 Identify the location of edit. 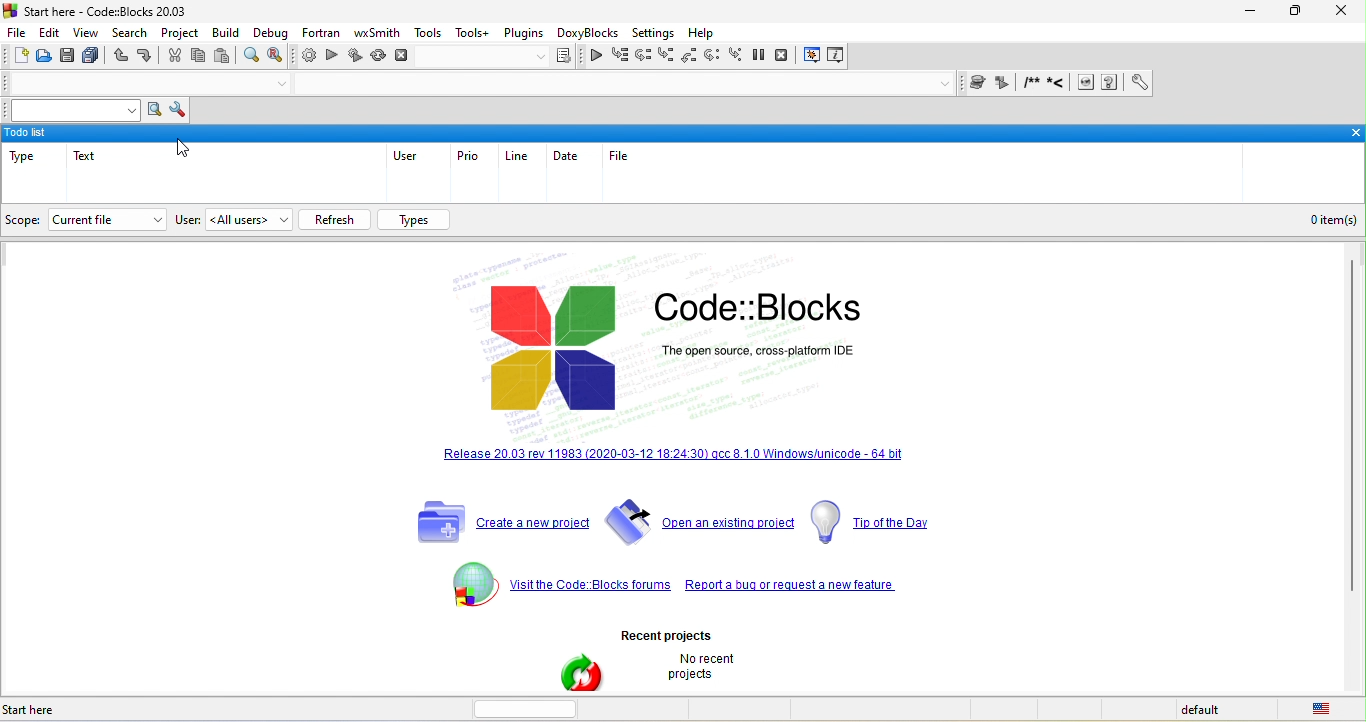
(53, 32).